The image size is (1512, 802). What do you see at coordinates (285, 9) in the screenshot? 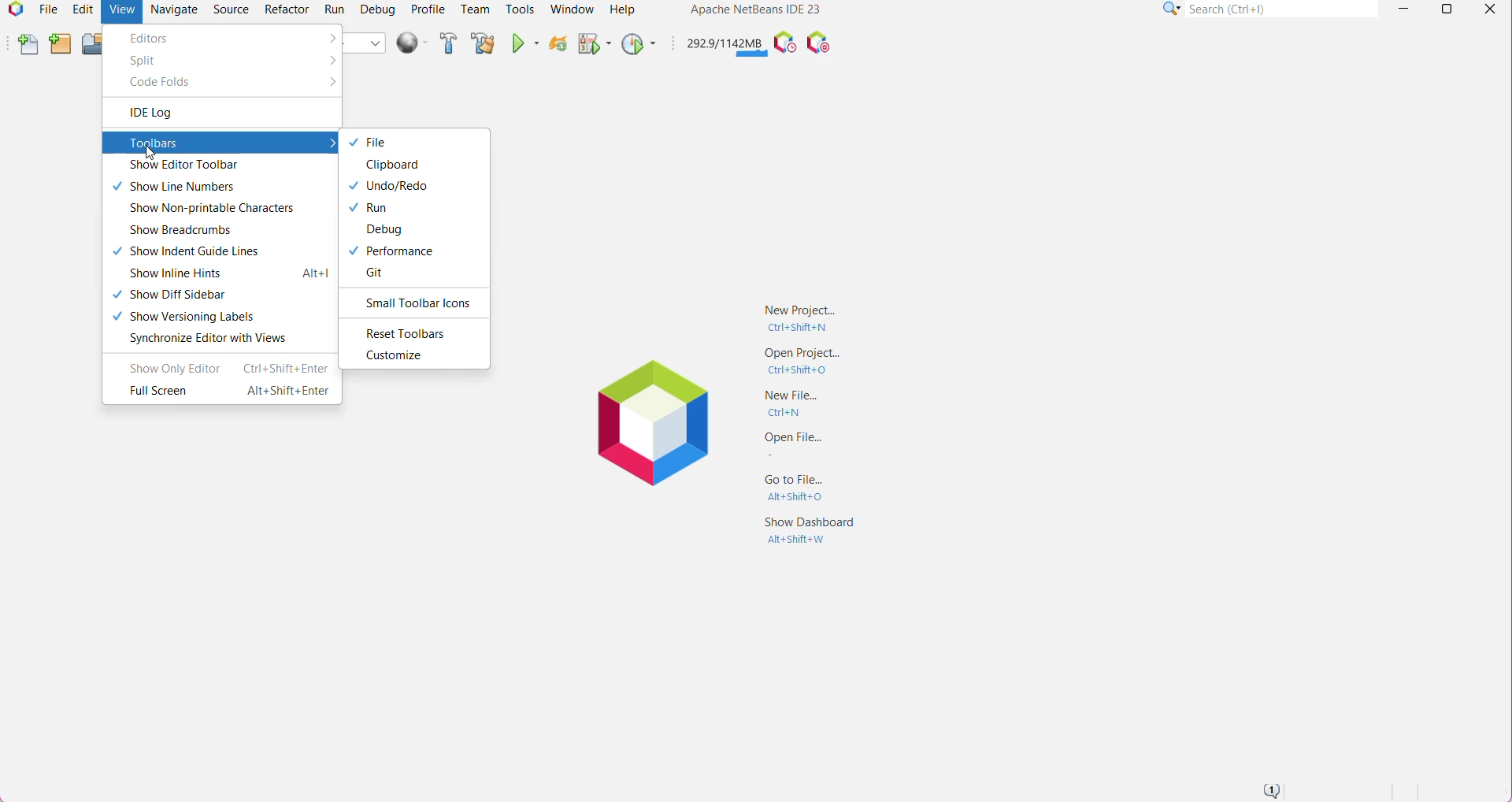
I see `Refactor` at bounding box center [285, 9].